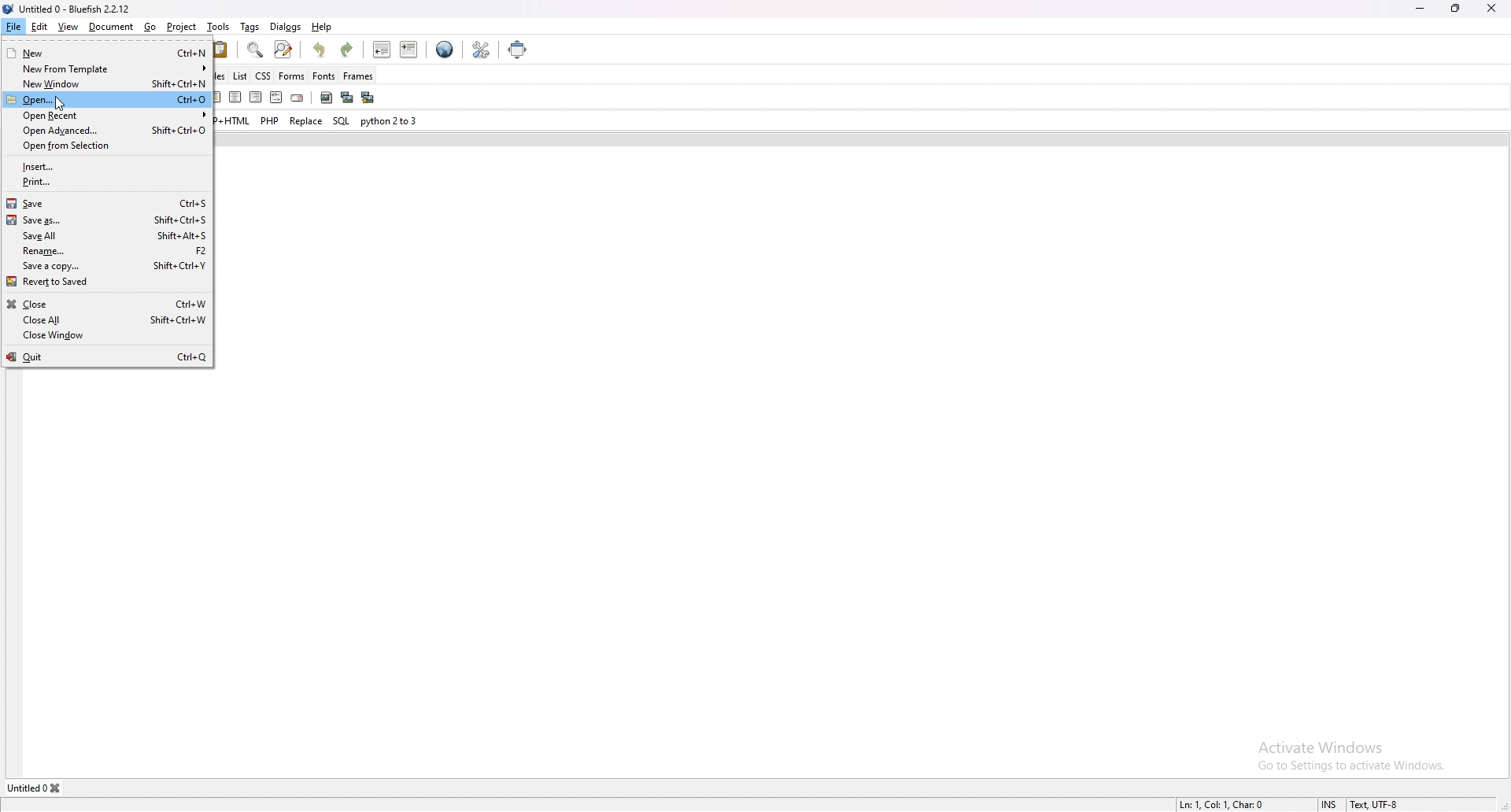 The width and height of the screenshot is (1511, 812). Describe the element at coordinates (368, 97) in the screenshot. I see `multi thumbnail` at that location.